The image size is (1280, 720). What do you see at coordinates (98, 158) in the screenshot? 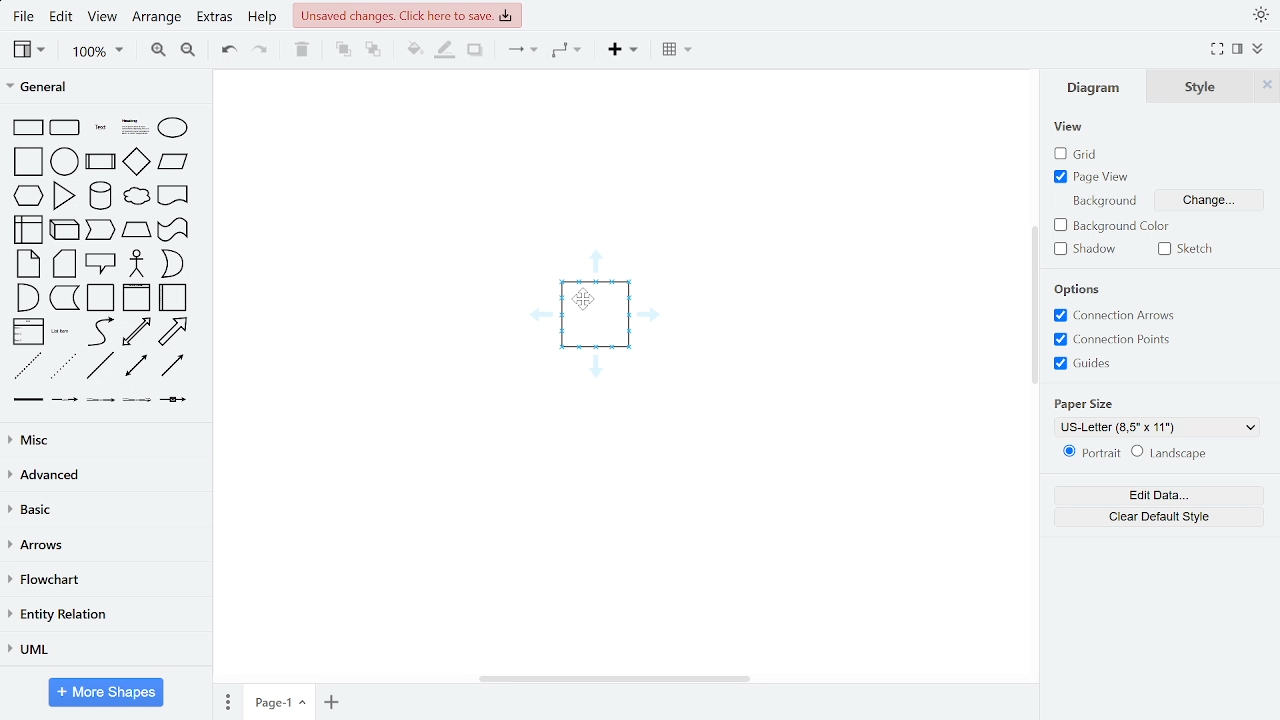
I see `general shapes` at bounding box center [98, 158].